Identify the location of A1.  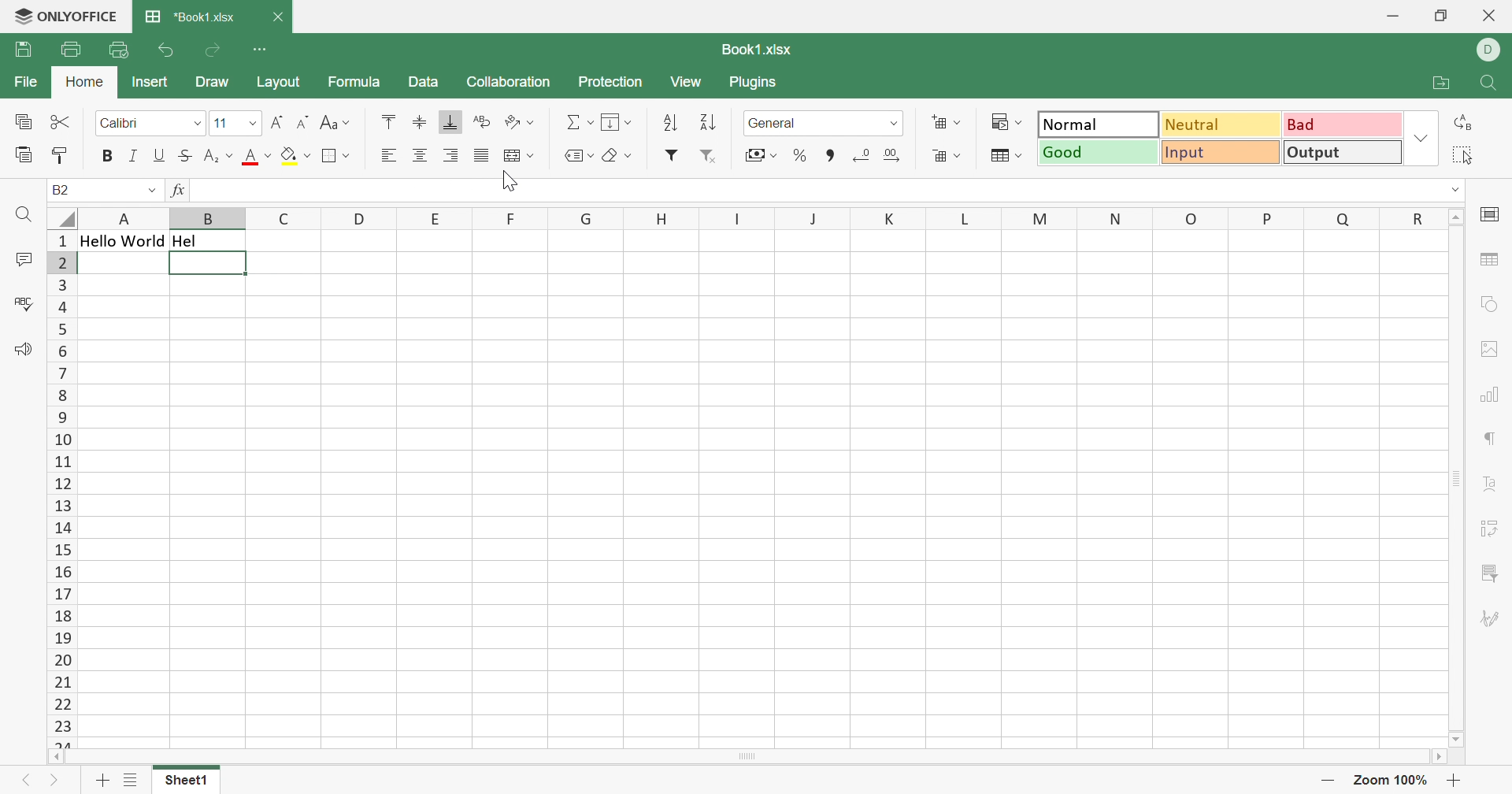
(67, 189).